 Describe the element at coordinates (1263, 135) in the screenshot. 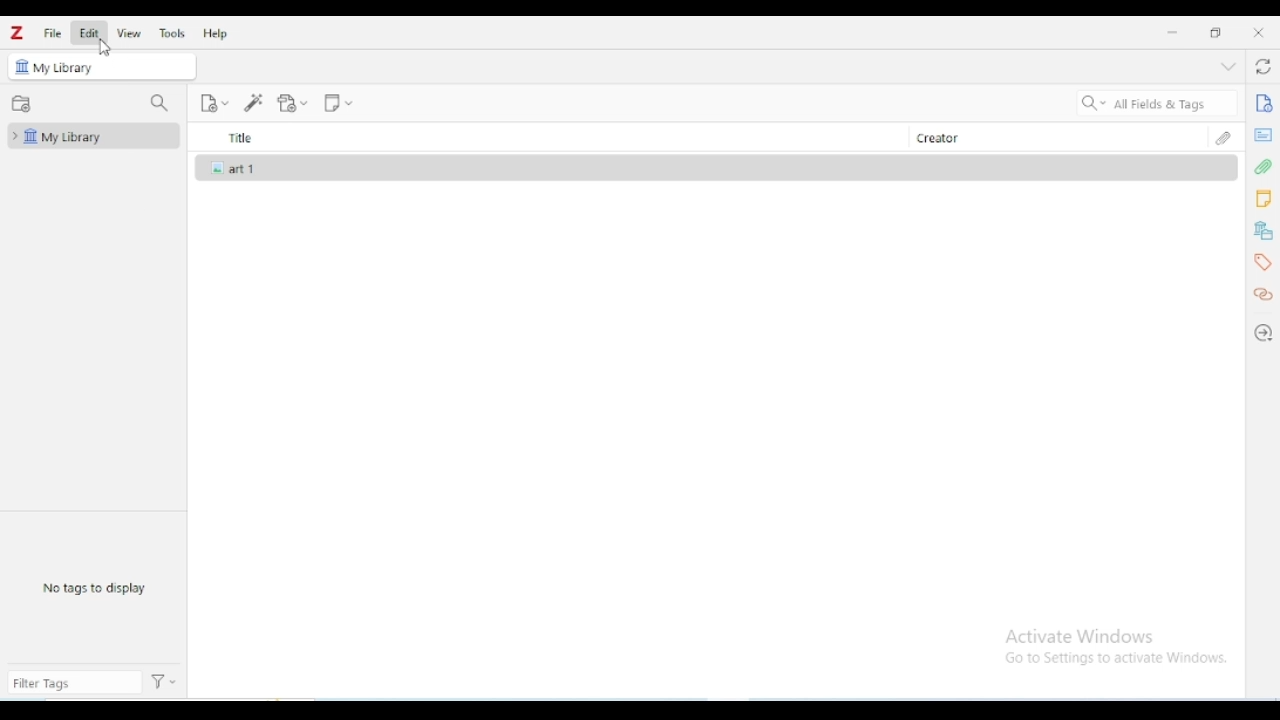

I see `abstract` at that location.